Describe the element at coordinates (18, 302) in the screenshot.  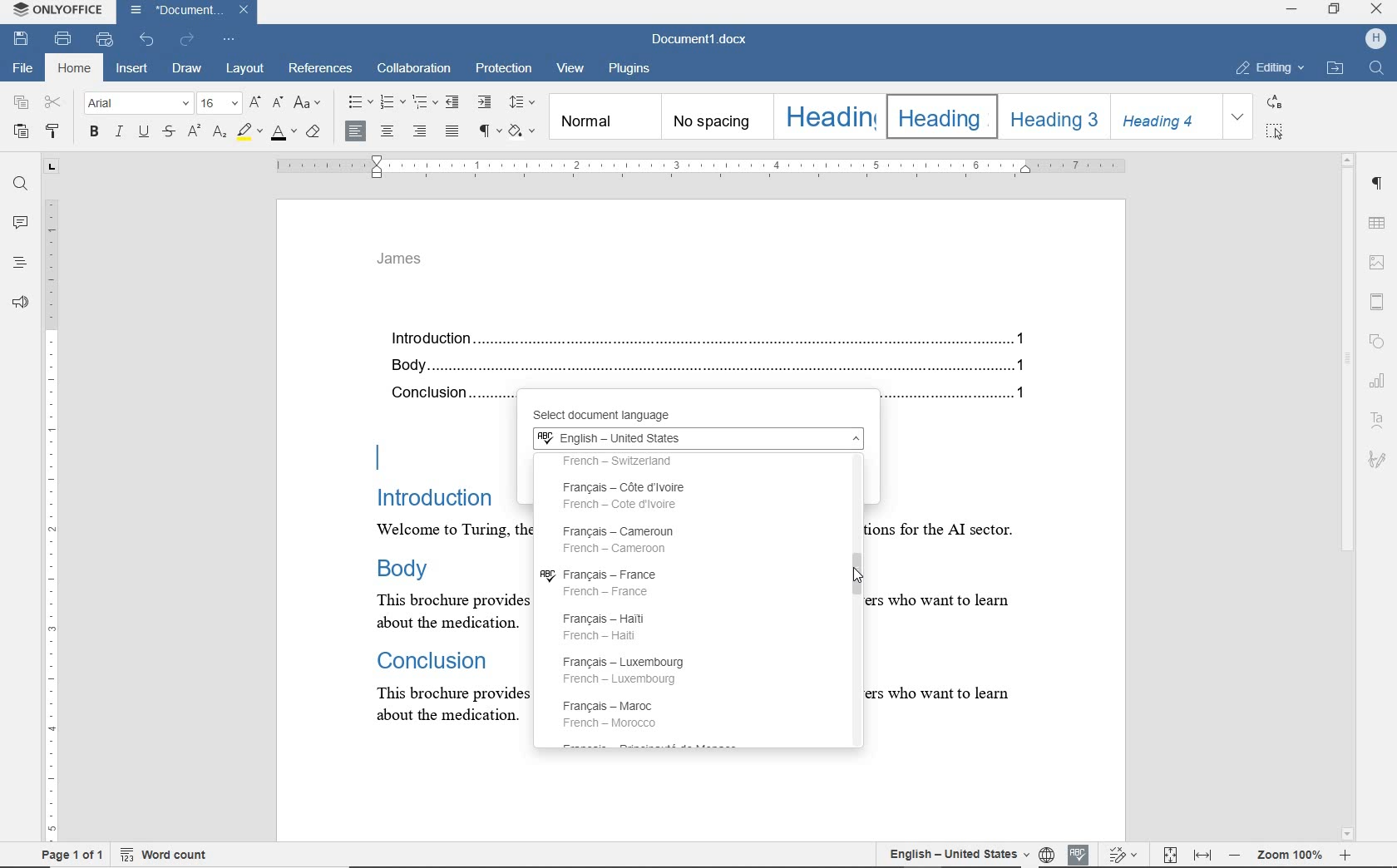
I see `feedback & support` at that location.